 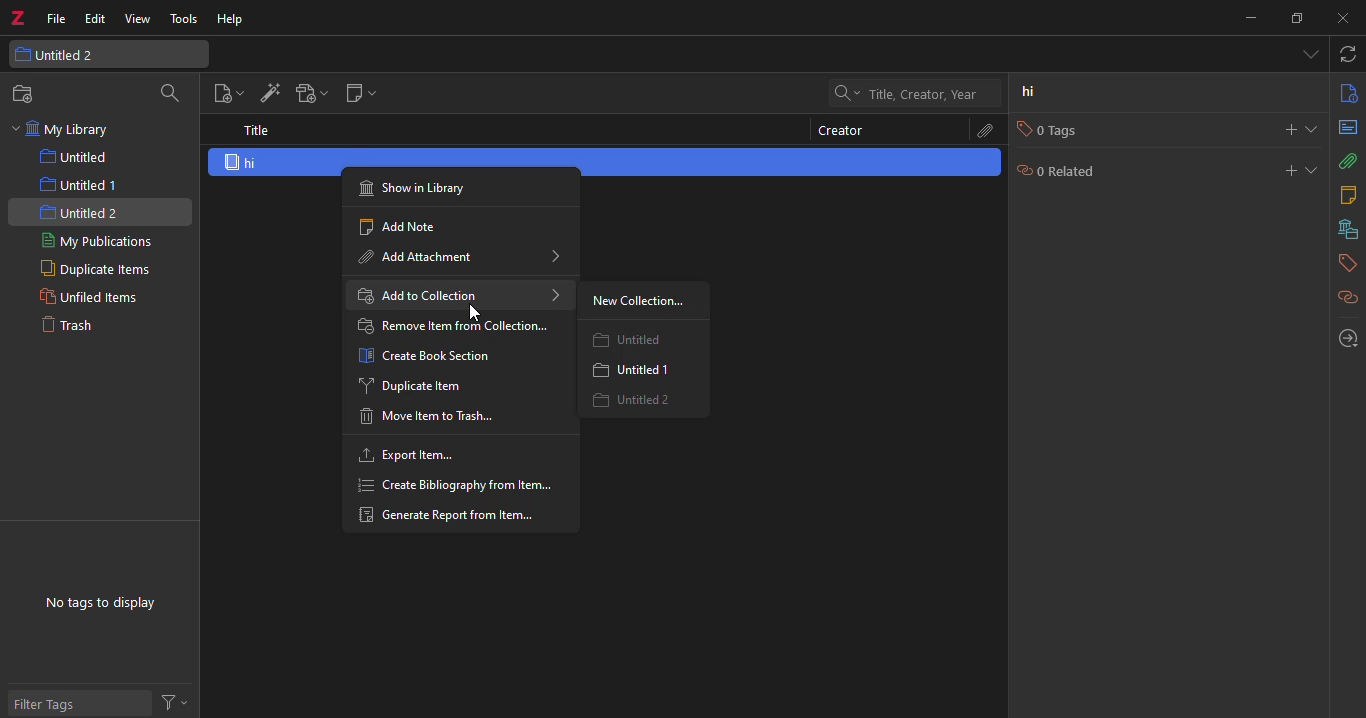 What do you see at coordinates (55, 19) in the screenshot?
I see `file` at bounding box center [55, 19].